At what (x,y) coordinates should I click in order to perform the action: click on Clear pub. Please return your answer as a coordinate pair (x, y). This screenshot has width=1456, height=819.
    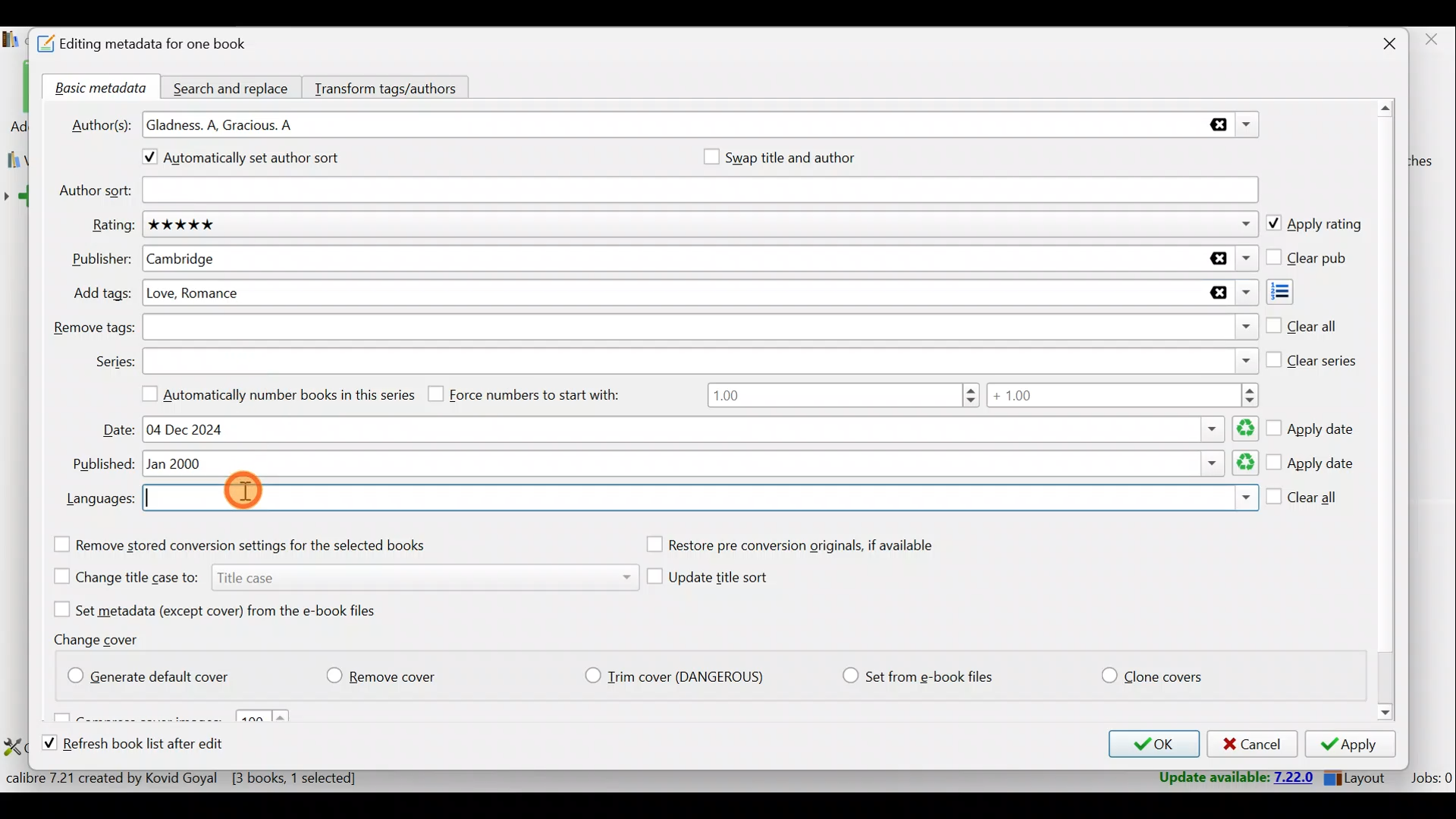
    Looking at the image, I should click on (1310, 259).